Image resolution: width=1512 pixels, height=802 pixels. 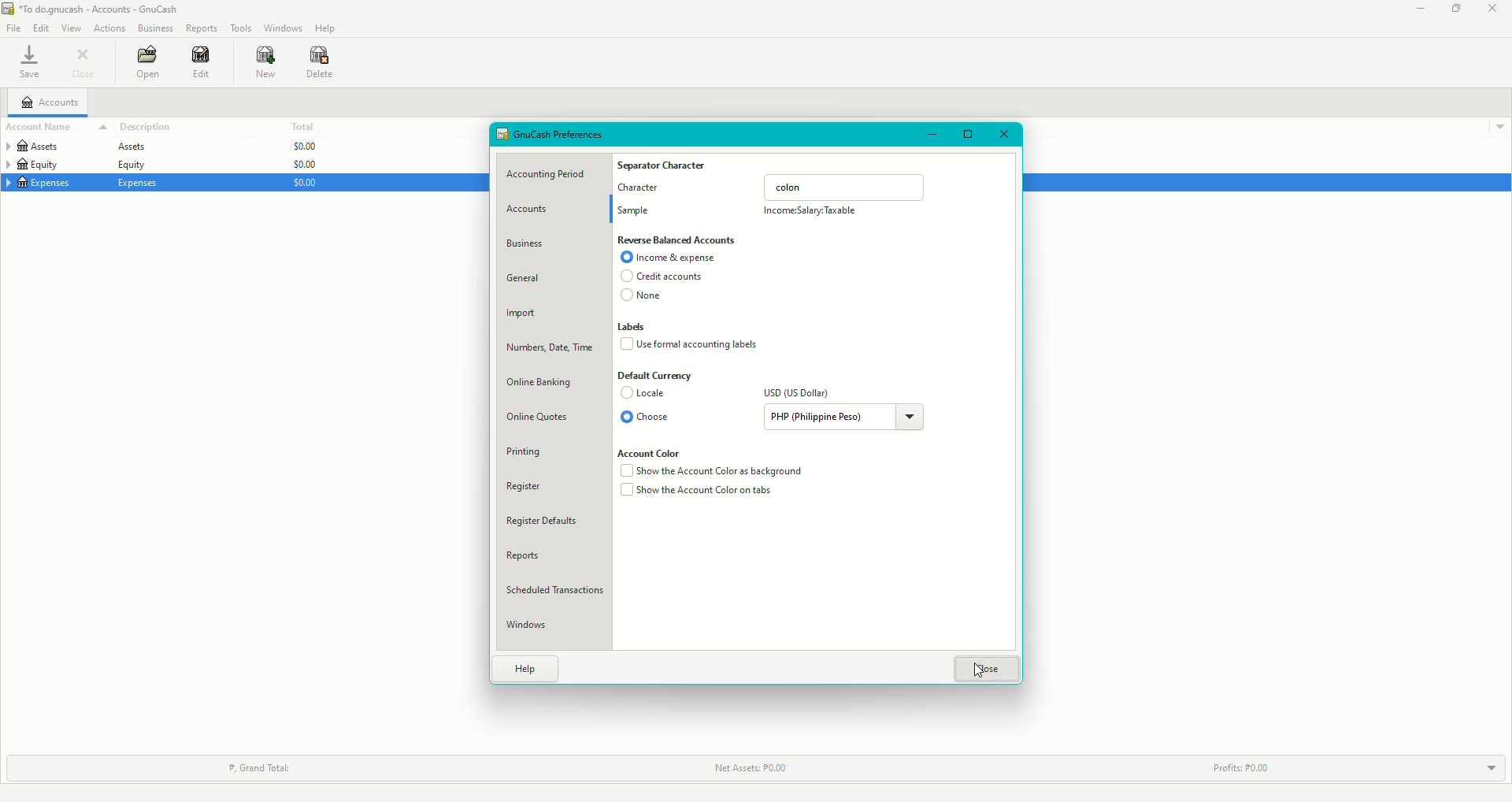 I want to click on Printing, so click(x=532, y=448).